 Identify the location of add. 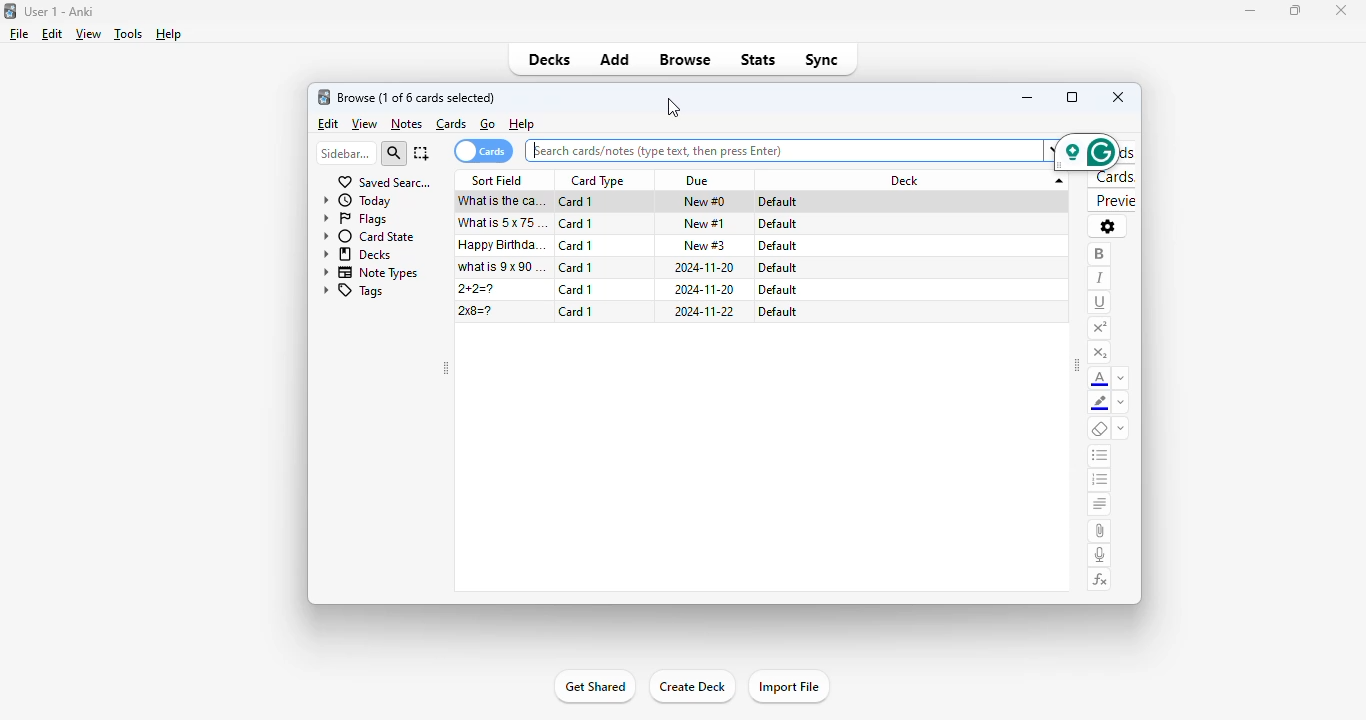
(615, 59).